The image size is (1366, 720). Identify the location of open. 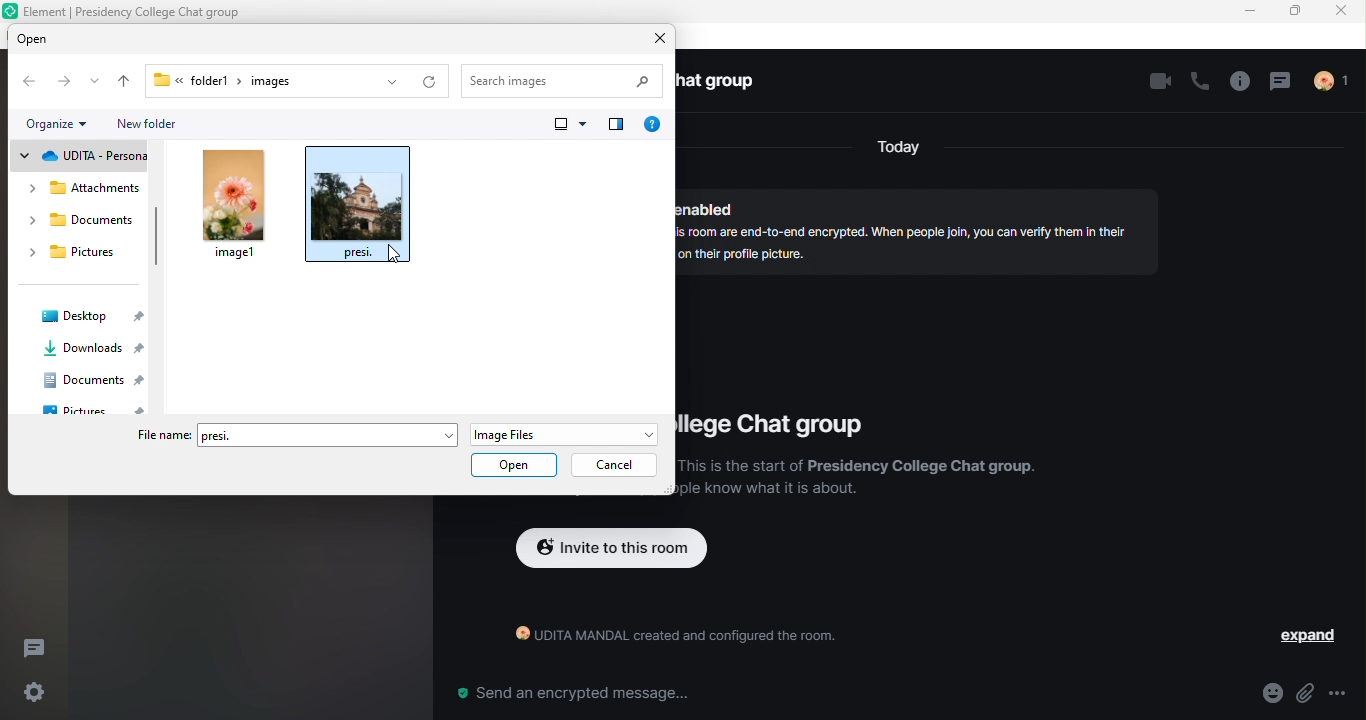
(56, 39).